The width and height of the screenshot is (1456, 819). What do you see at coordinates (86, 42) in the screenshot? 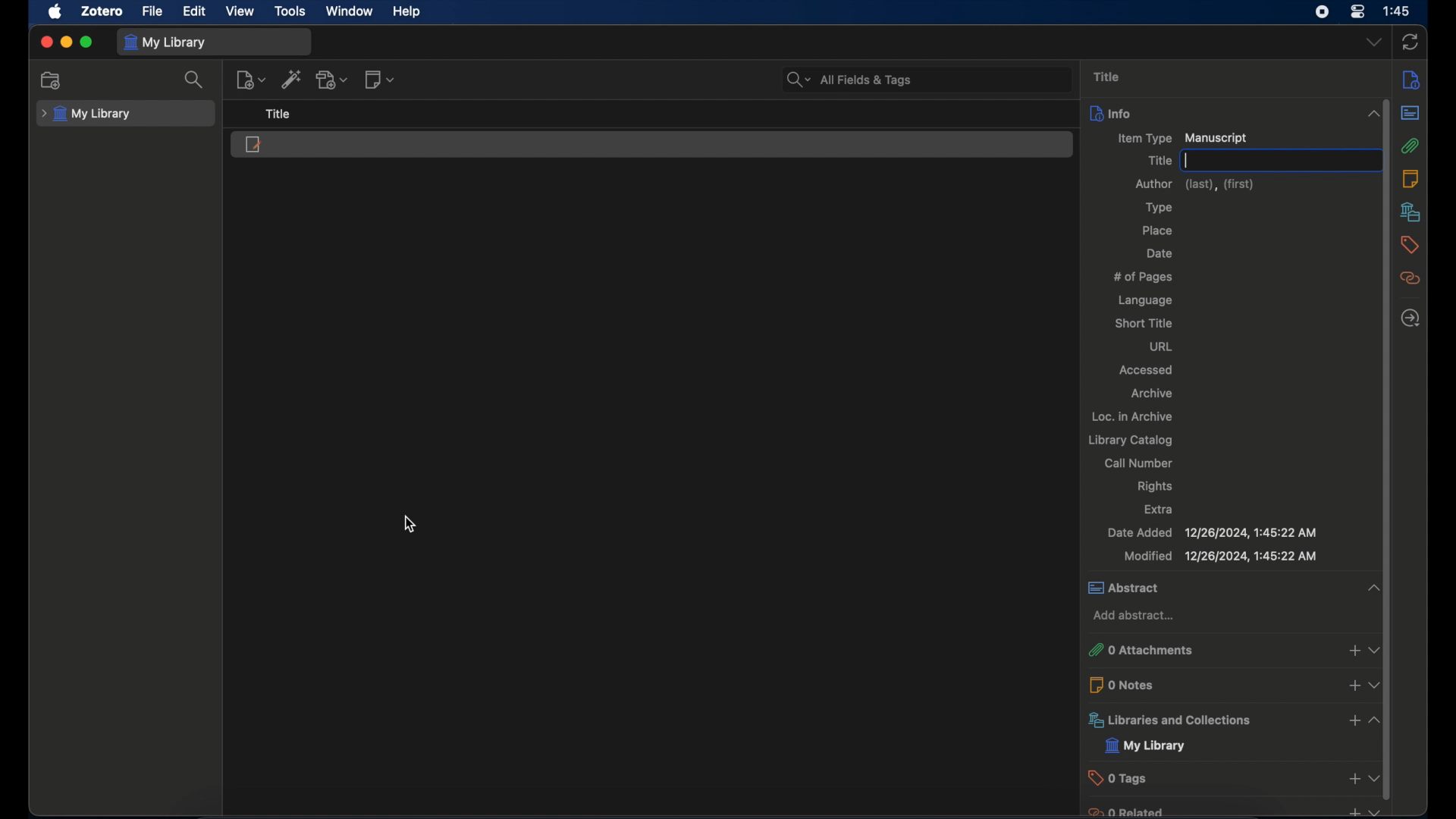
I see `maximize` at bounding box center [86, 42].